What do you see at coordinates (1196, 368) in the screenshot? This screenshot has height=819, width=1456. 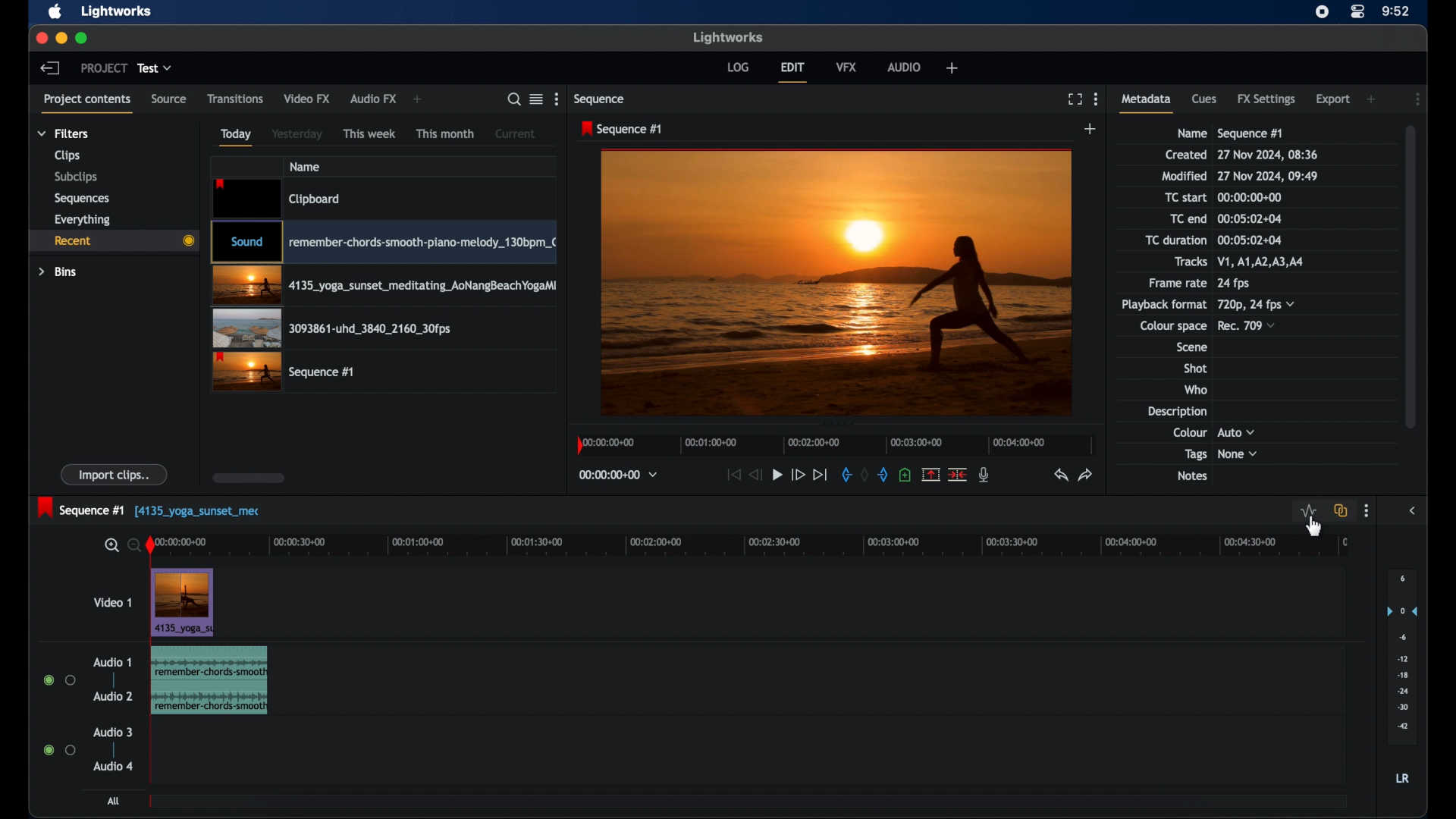 I see `shot` at bounding box center [1196, 368].